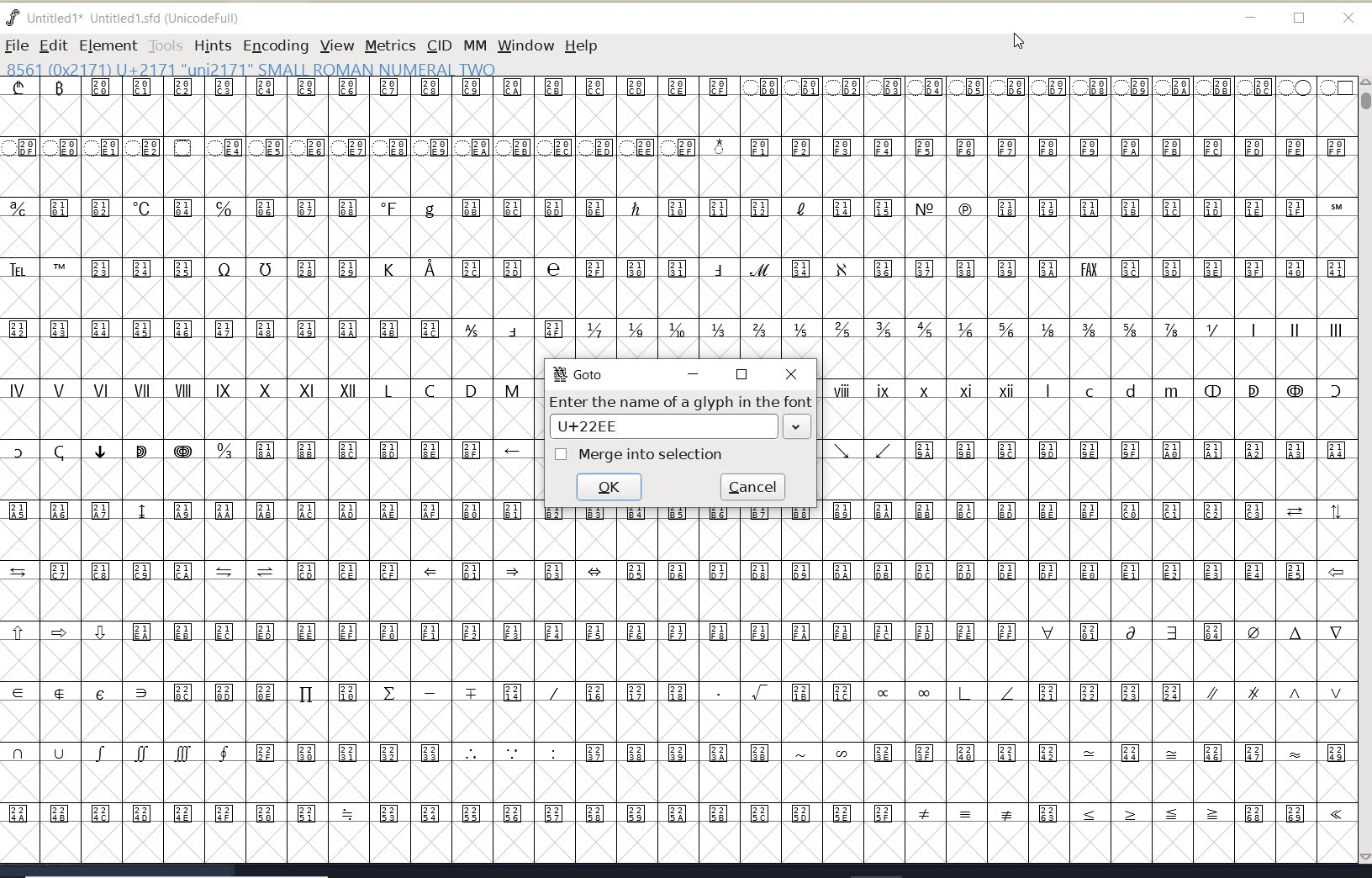  What do you see at coordinates (1251, 18) in the screenshot?
I see `minimize` at bounding box center [1251, 18].